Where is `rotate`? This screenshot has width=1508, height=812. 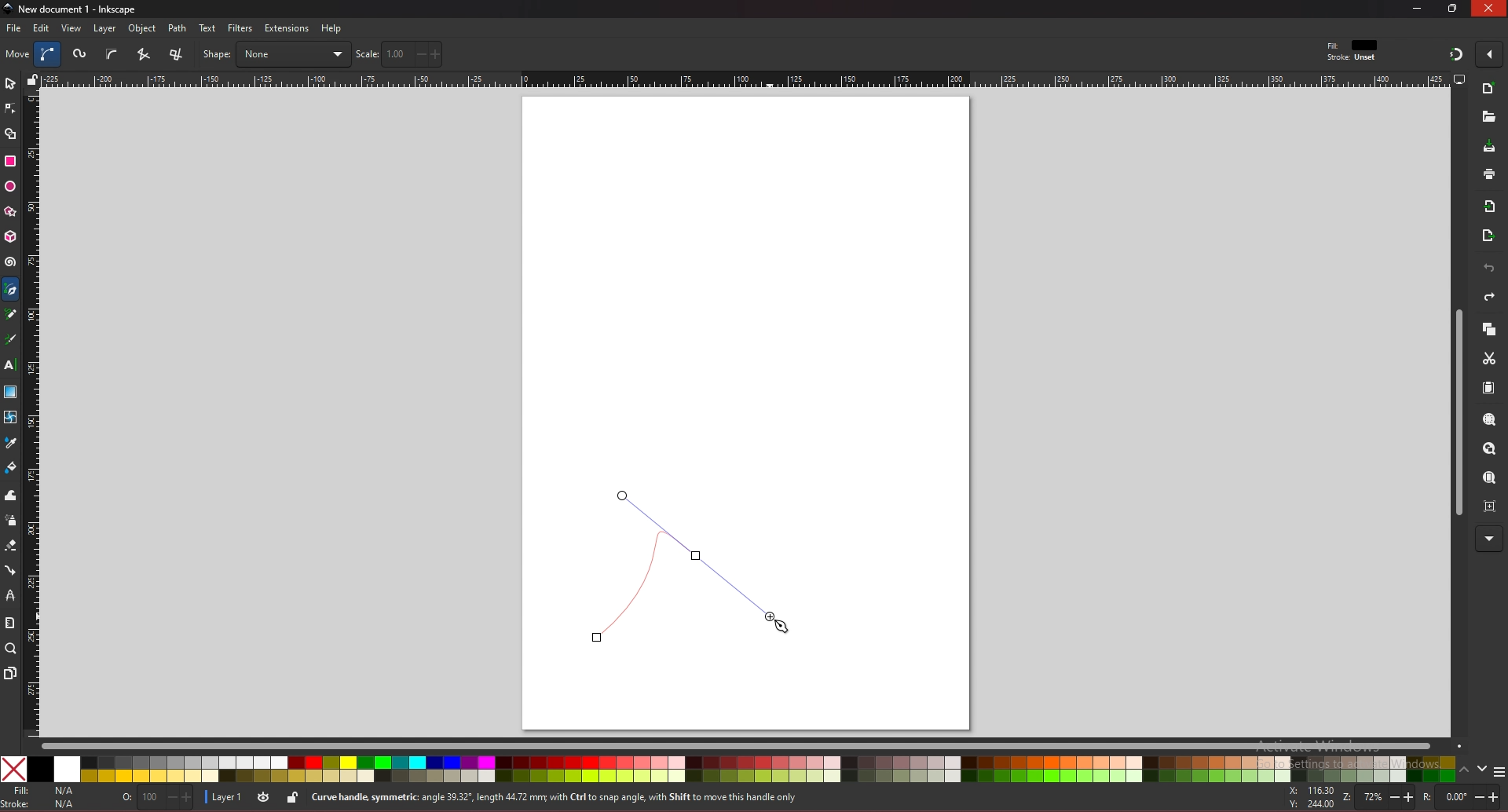 rotate is located at coordinates (1463, 797).